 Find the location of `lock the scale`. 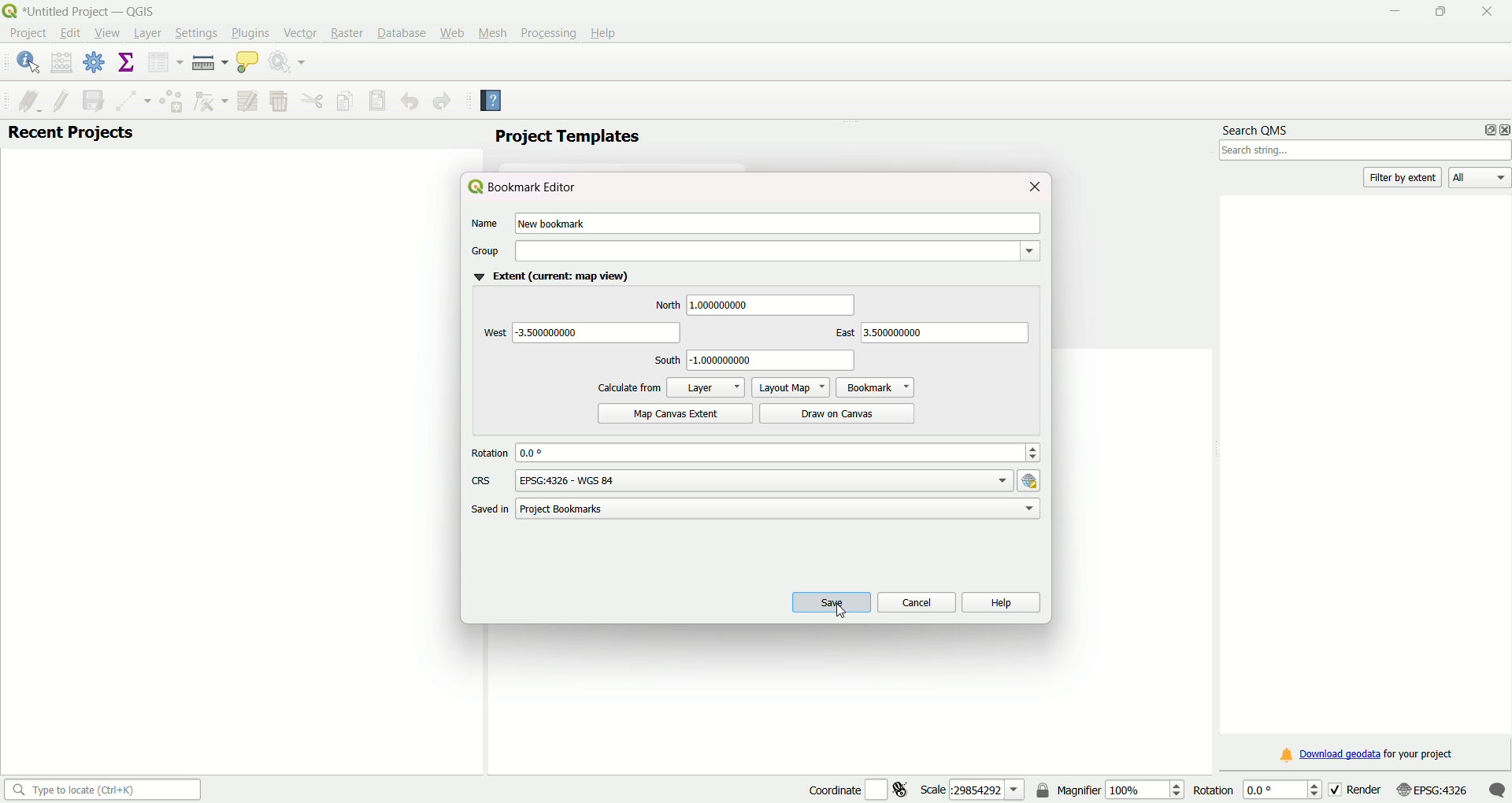

lock the scale is located at coordinates (1043, 791).